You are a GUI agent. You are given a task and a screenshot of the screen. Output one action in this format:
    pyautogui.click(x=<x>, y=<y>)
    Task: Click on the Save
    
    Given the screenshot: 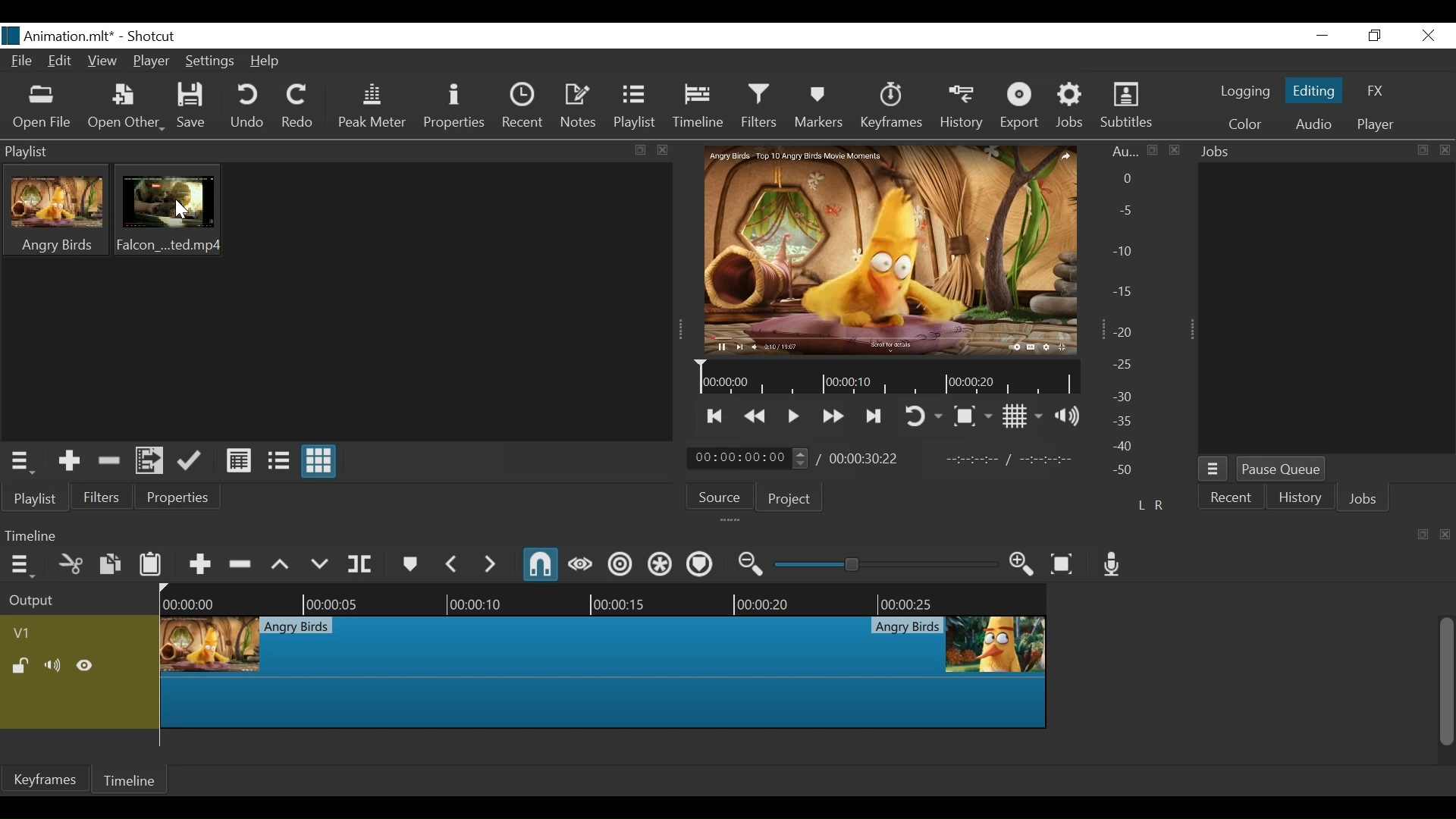 What is the action you would take?
    pyautogui.click(x=193, y=106)
    